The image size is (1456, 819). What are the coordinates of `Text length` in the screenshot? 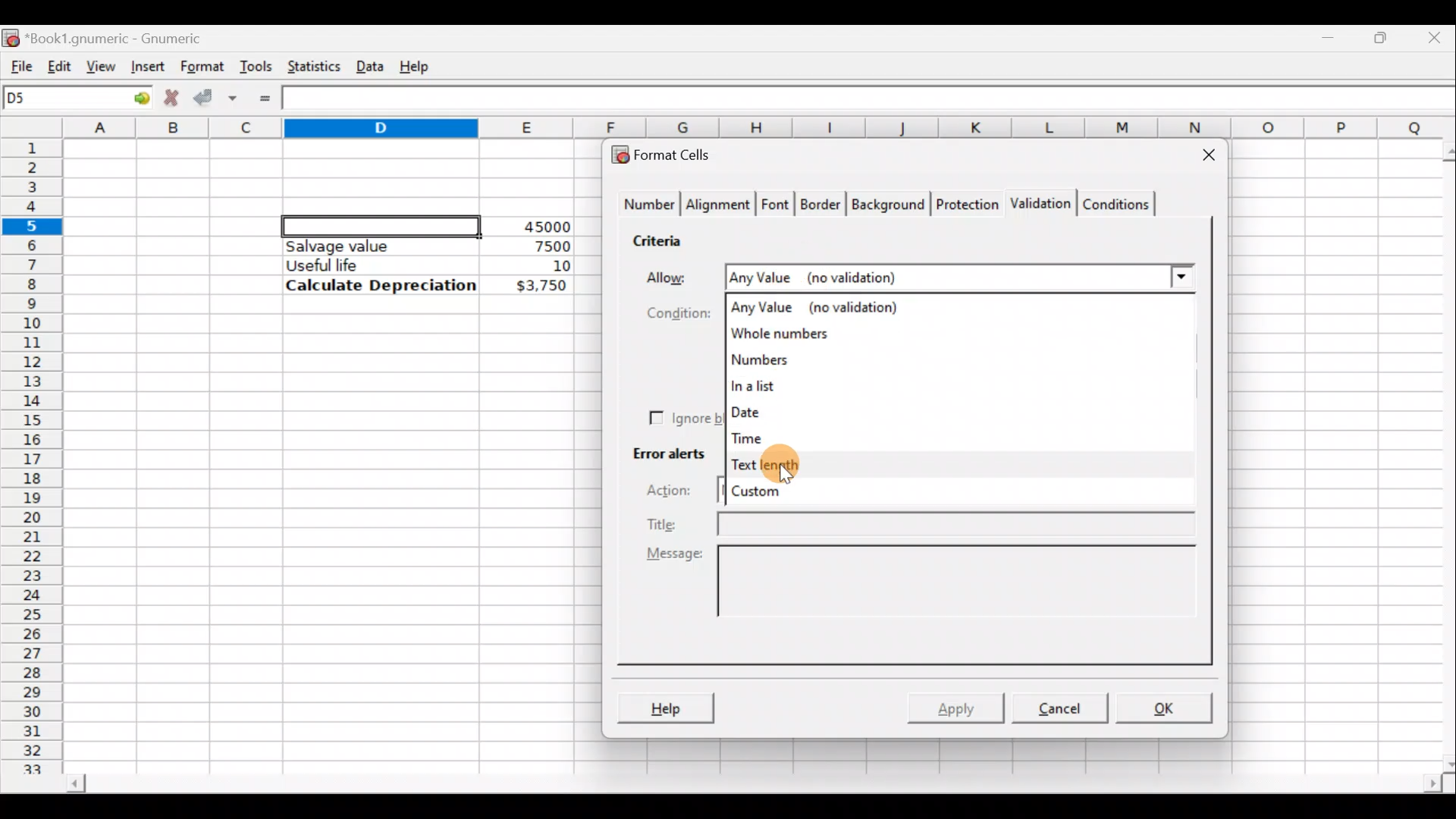 It's located at (783, 463).